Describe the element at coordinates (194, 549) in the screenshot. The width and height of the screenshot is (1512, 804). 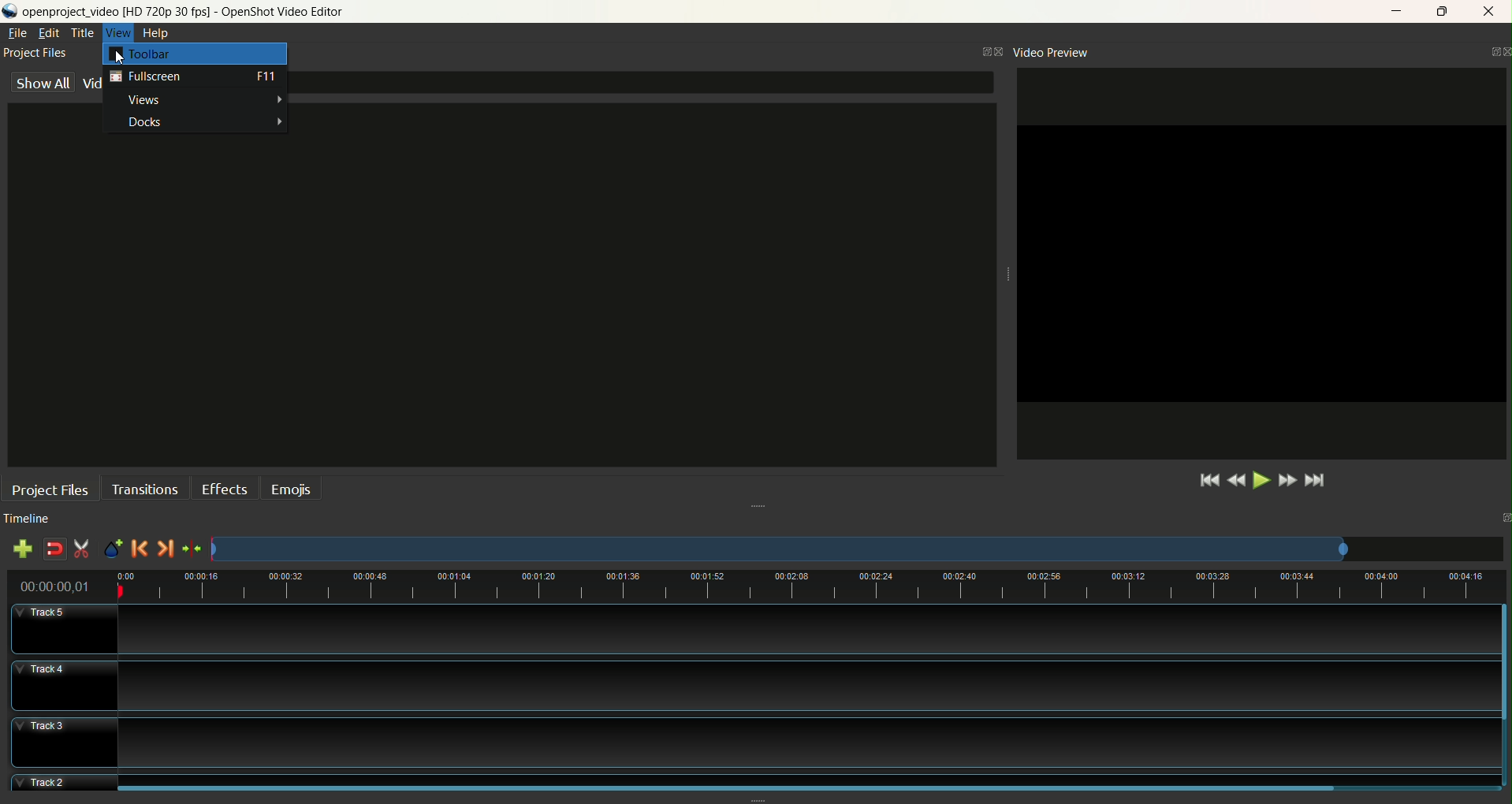
I see `center the timeline on playhead` at that location.